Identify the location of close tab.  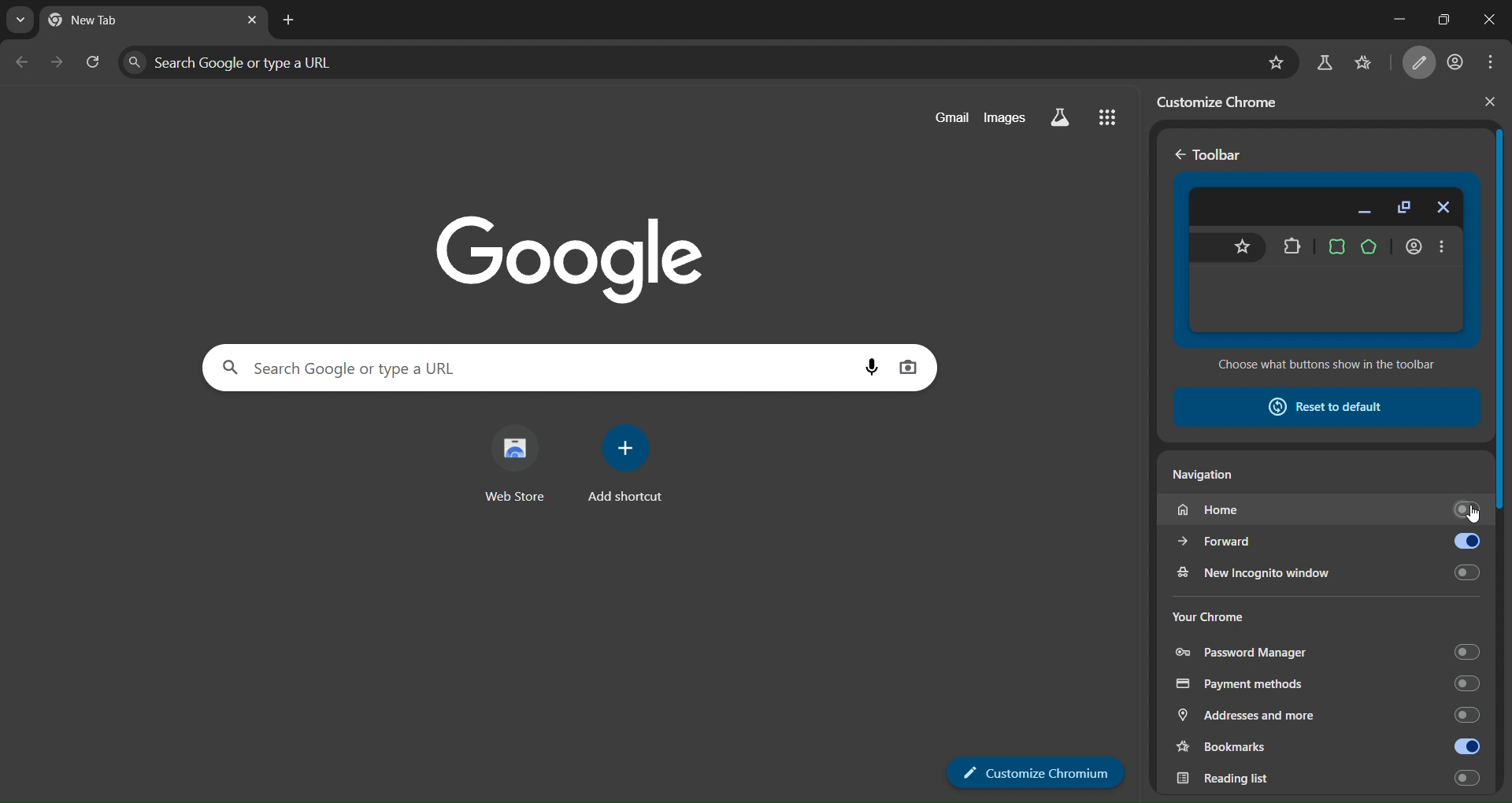
(254, 20).